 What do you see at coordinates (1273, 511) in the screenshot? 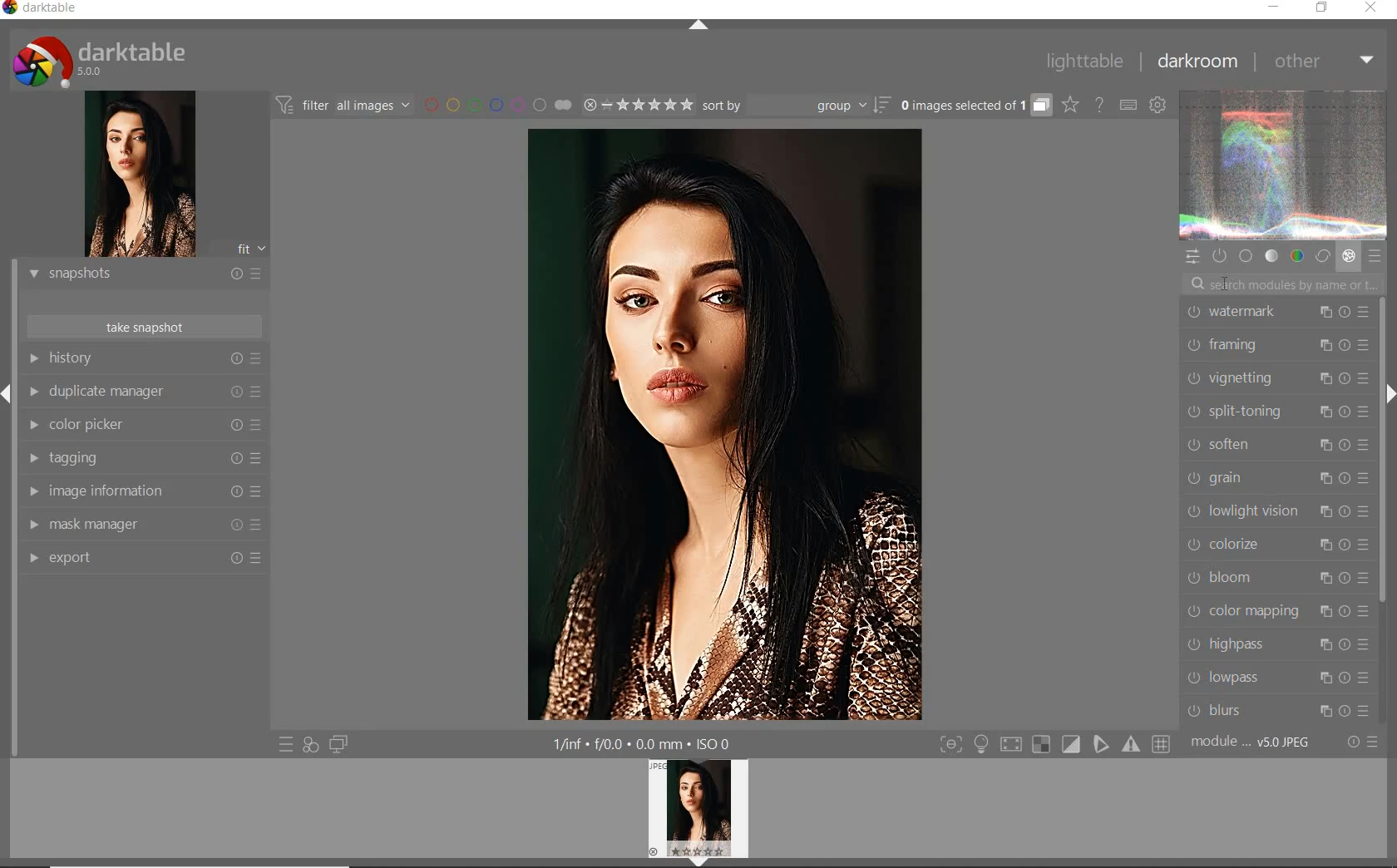
I see `LOWLIGHT VISION` at bounding box center [1273, 511].